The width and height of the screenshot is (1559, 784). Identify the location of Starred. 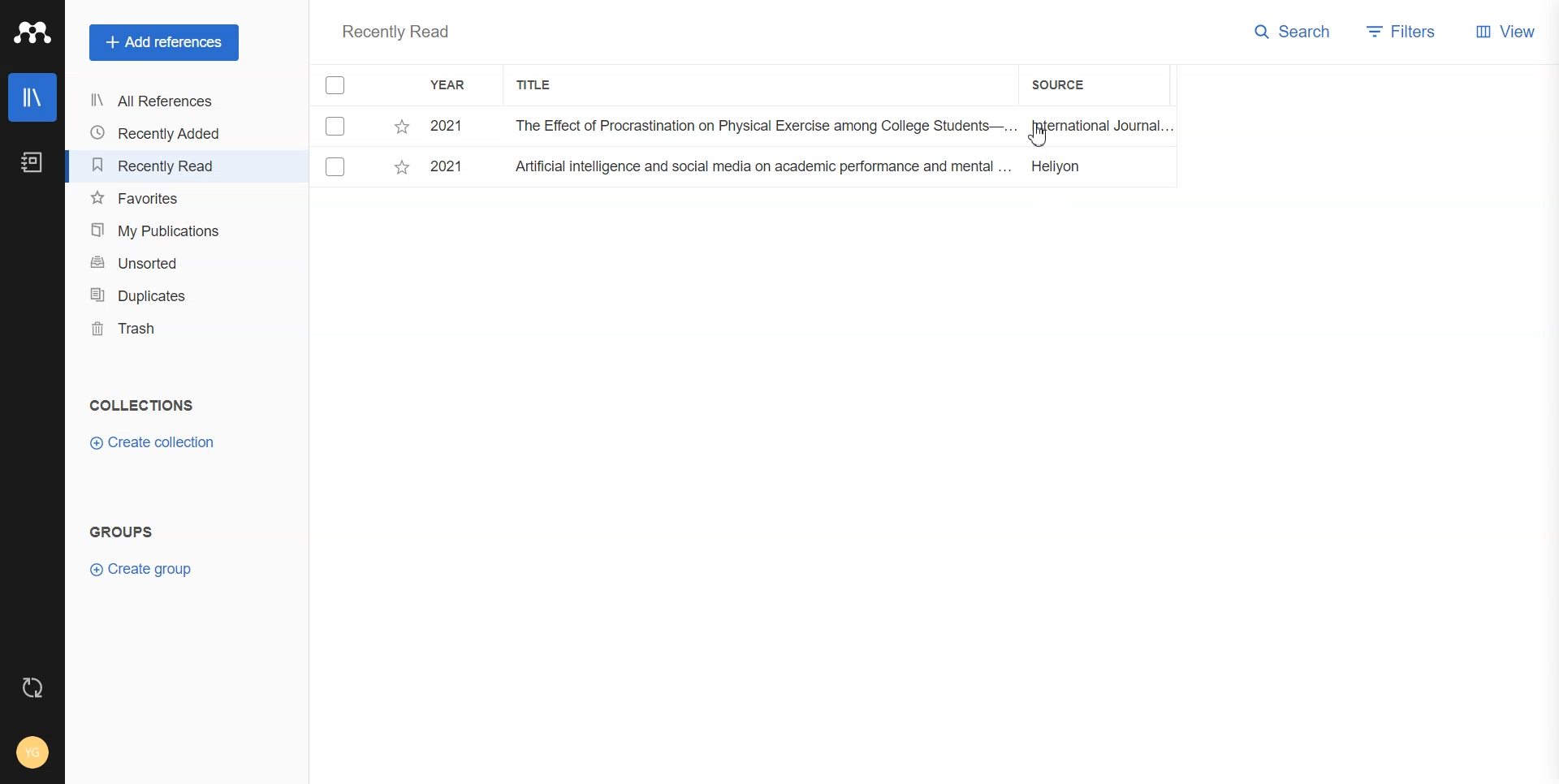
(401, 170).